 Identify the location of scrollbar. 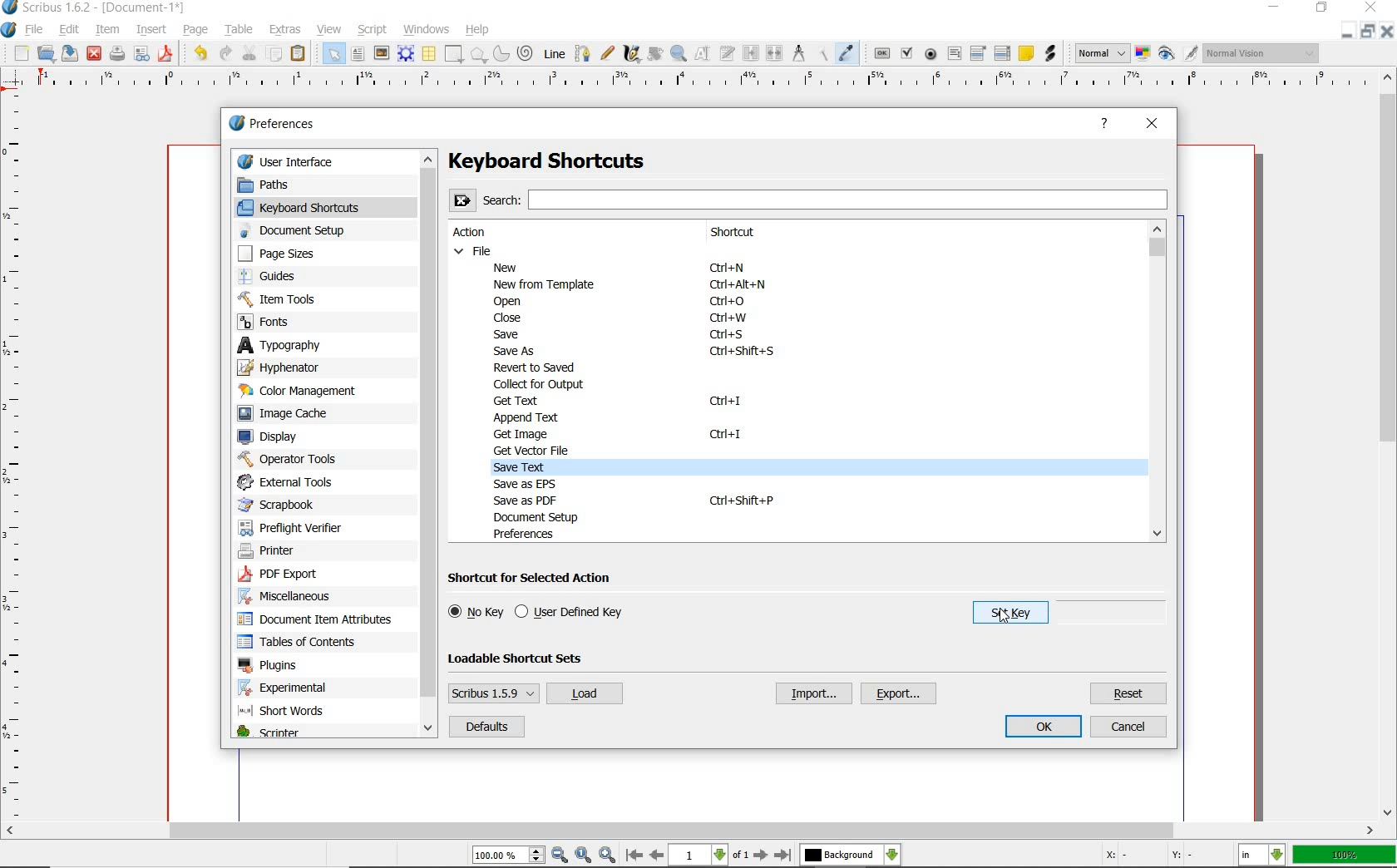
(431, 445).